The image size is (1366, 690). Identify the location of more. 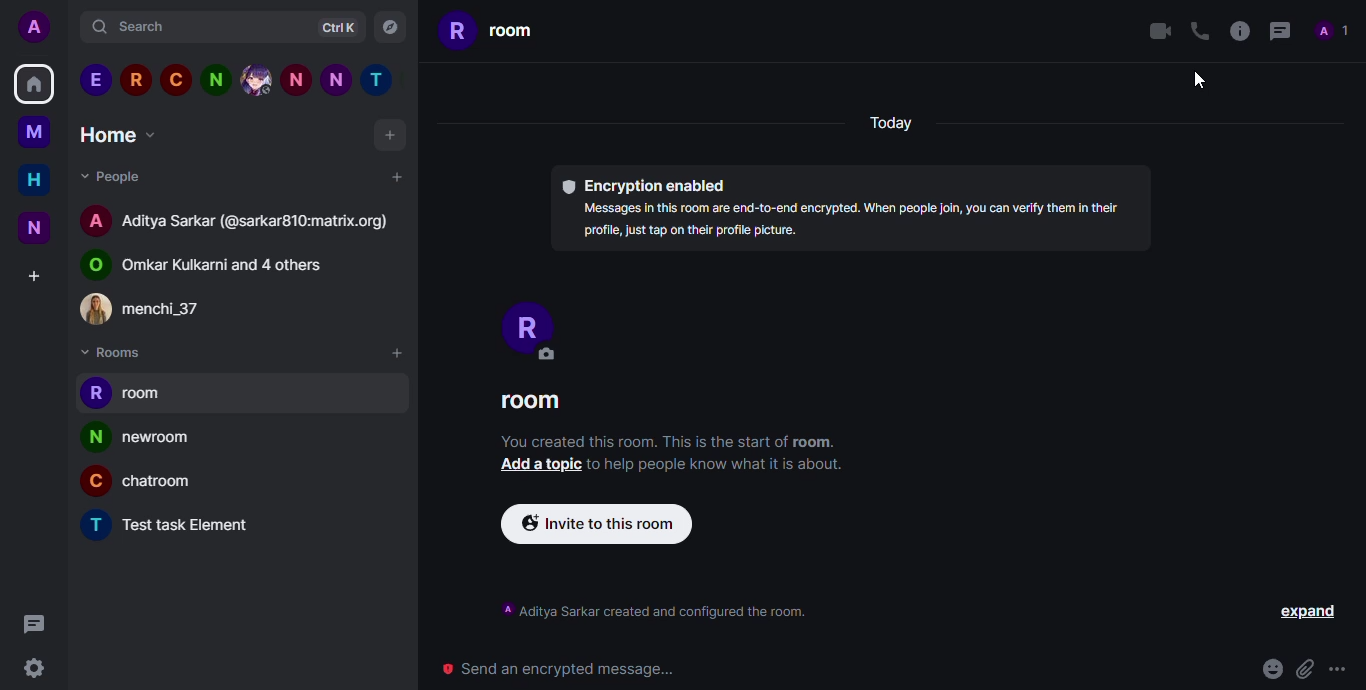
(1345, 668).